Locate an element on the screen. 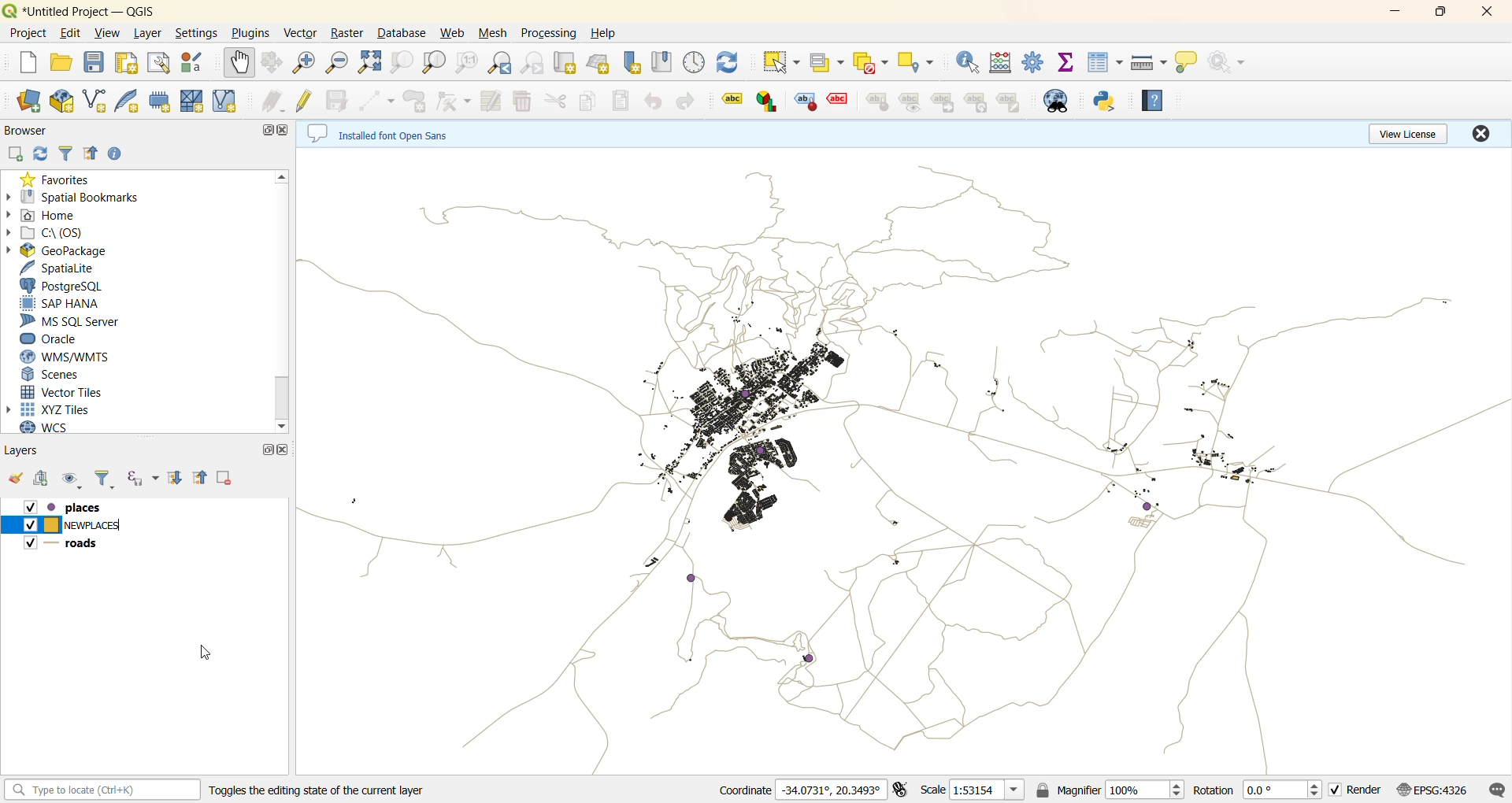 The width and height of the screenshot is (1512, 803). xyz tiles is located at coordinates (57, 409).